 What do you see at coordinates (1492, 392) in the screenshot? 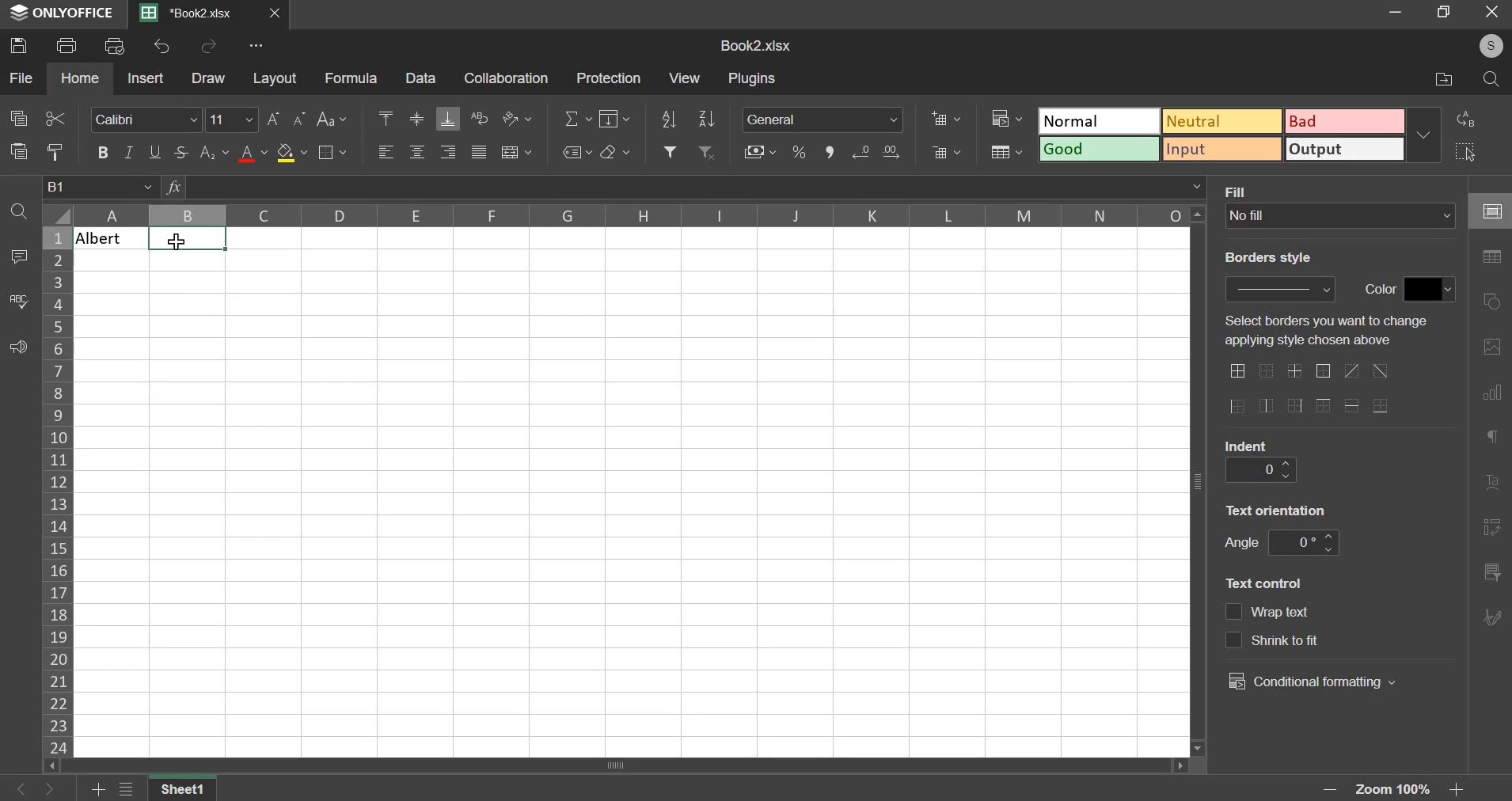
I see `chart settings` at bounding box center [1492, 392].